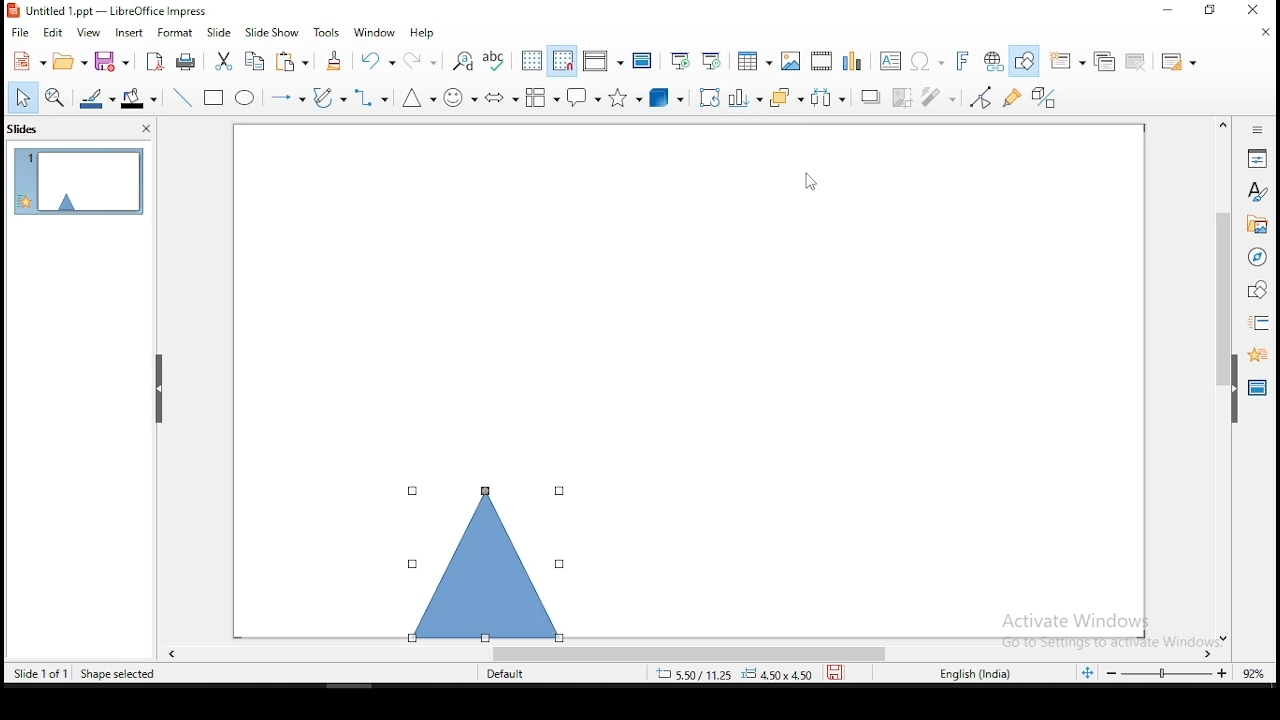  Describe the element at coordinates (1219, 379) in the screenshot. I see `scroll bar` at that location.